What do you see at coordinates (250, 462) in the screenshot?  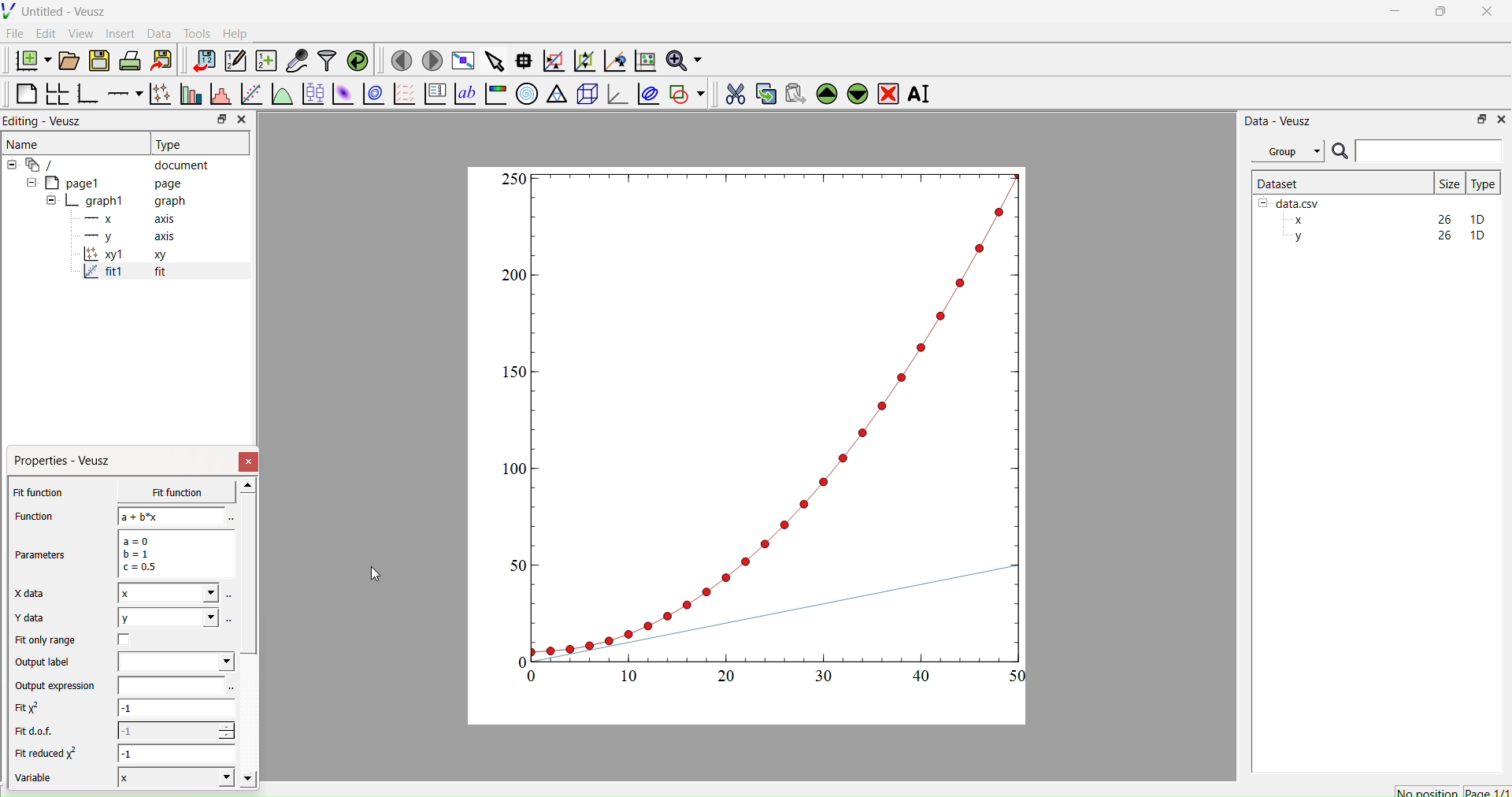 I see `Close` at bounding box center [250, 462].